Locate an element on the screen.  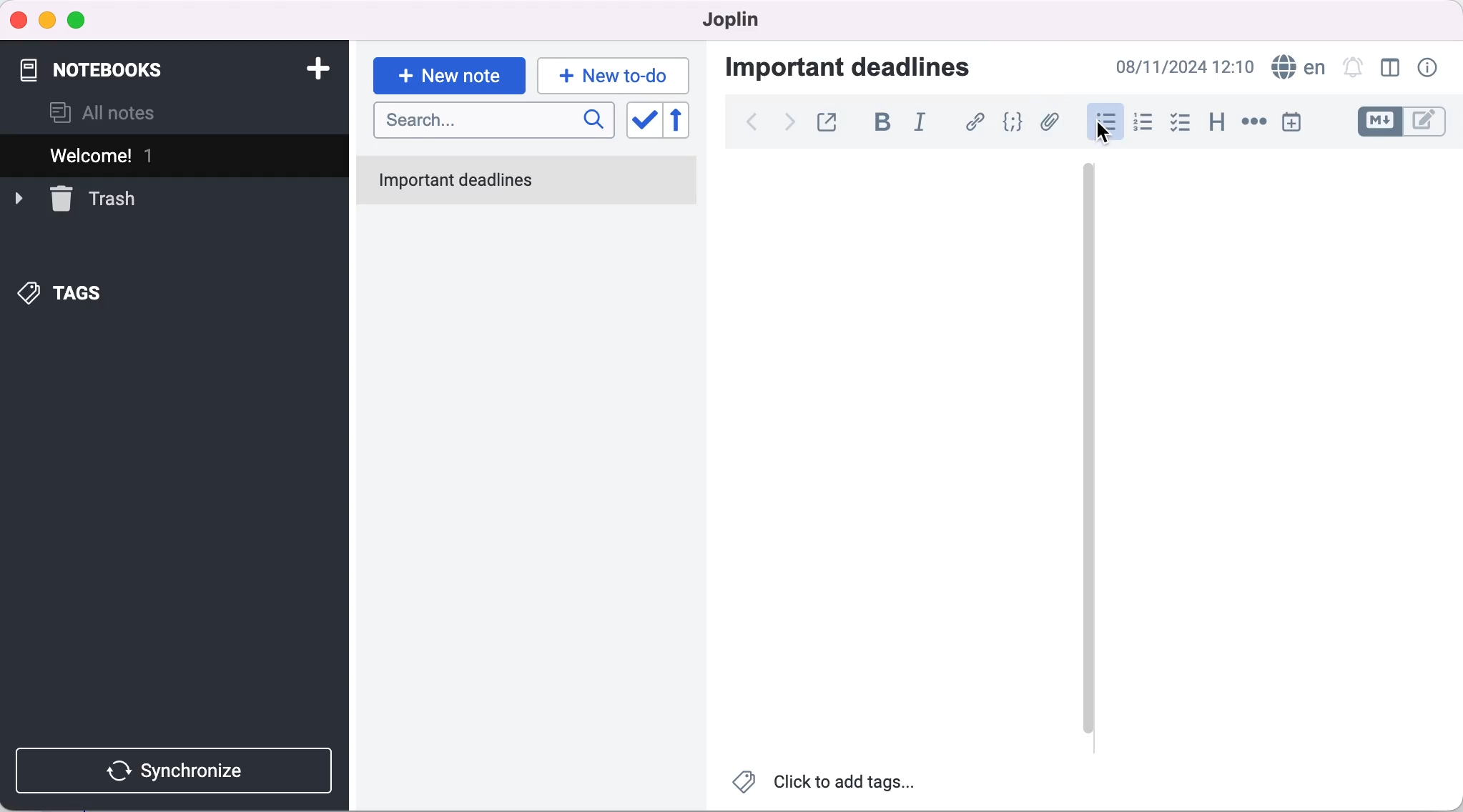
toggle sort order field is located at coordinates (643, 123).